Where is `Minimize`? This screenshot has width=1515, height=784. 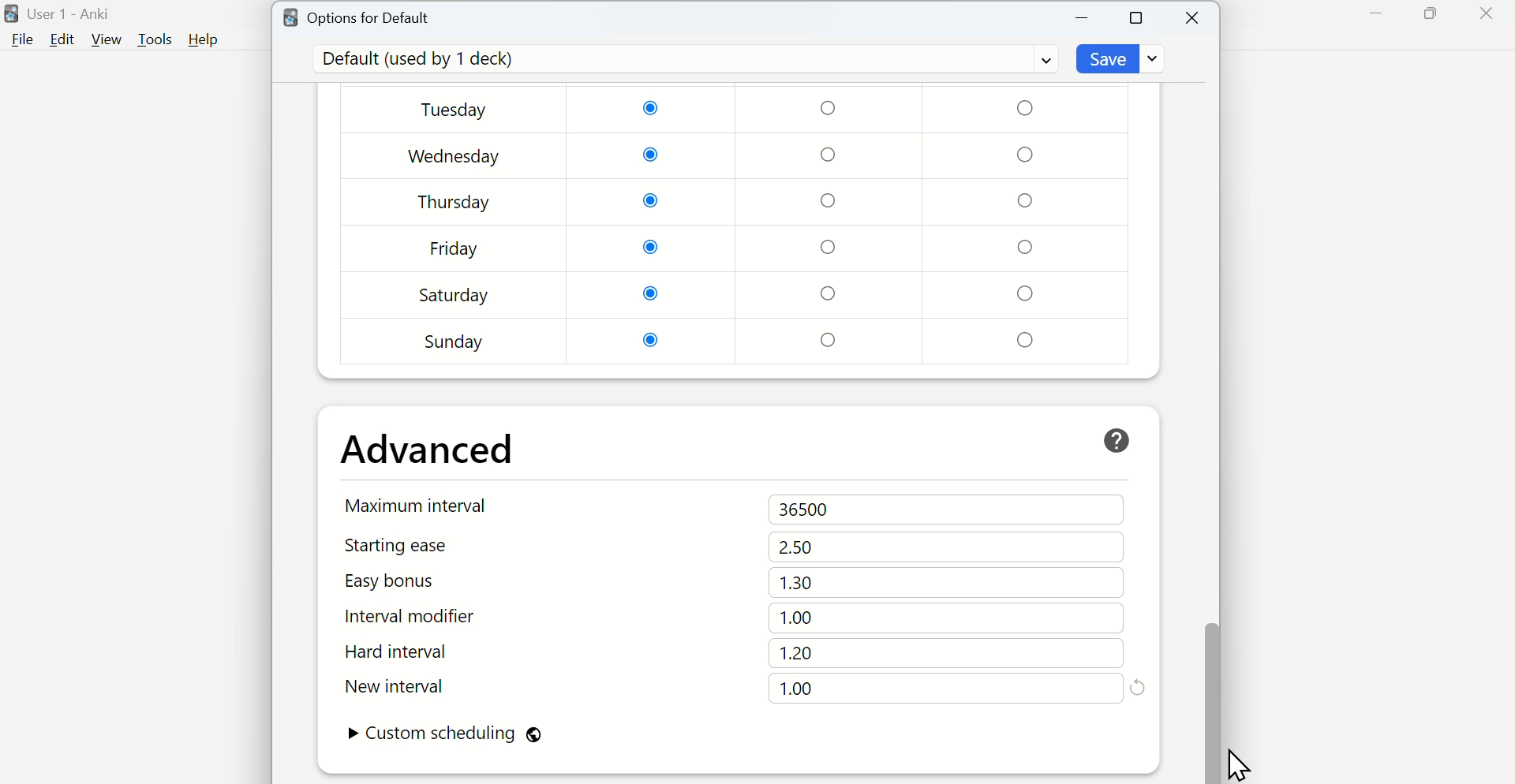
Minimize is located at coordinates (1083, 18).